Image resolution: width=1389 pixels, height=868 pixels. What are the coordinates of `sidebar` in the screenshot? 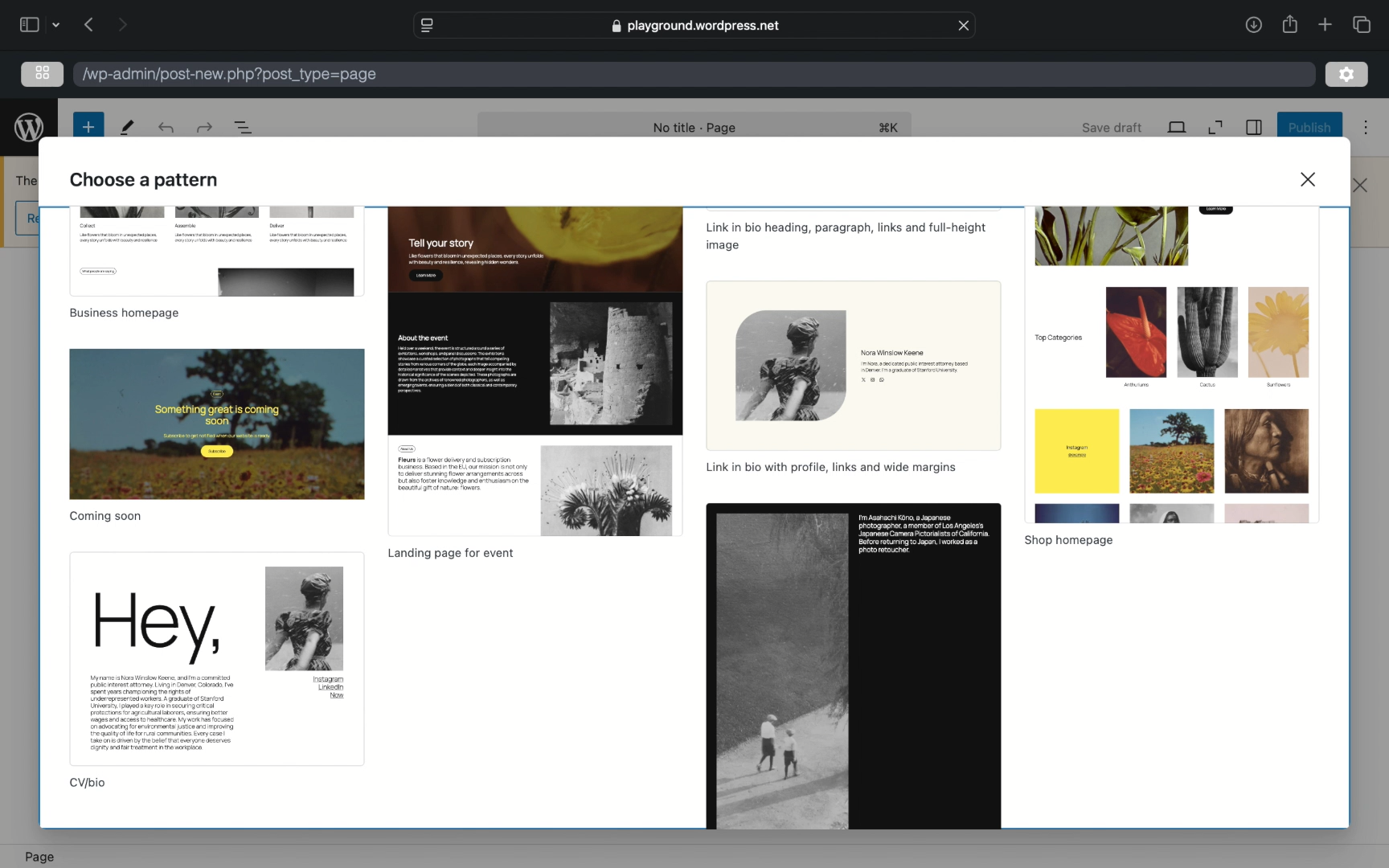 It's located at (29, 24).